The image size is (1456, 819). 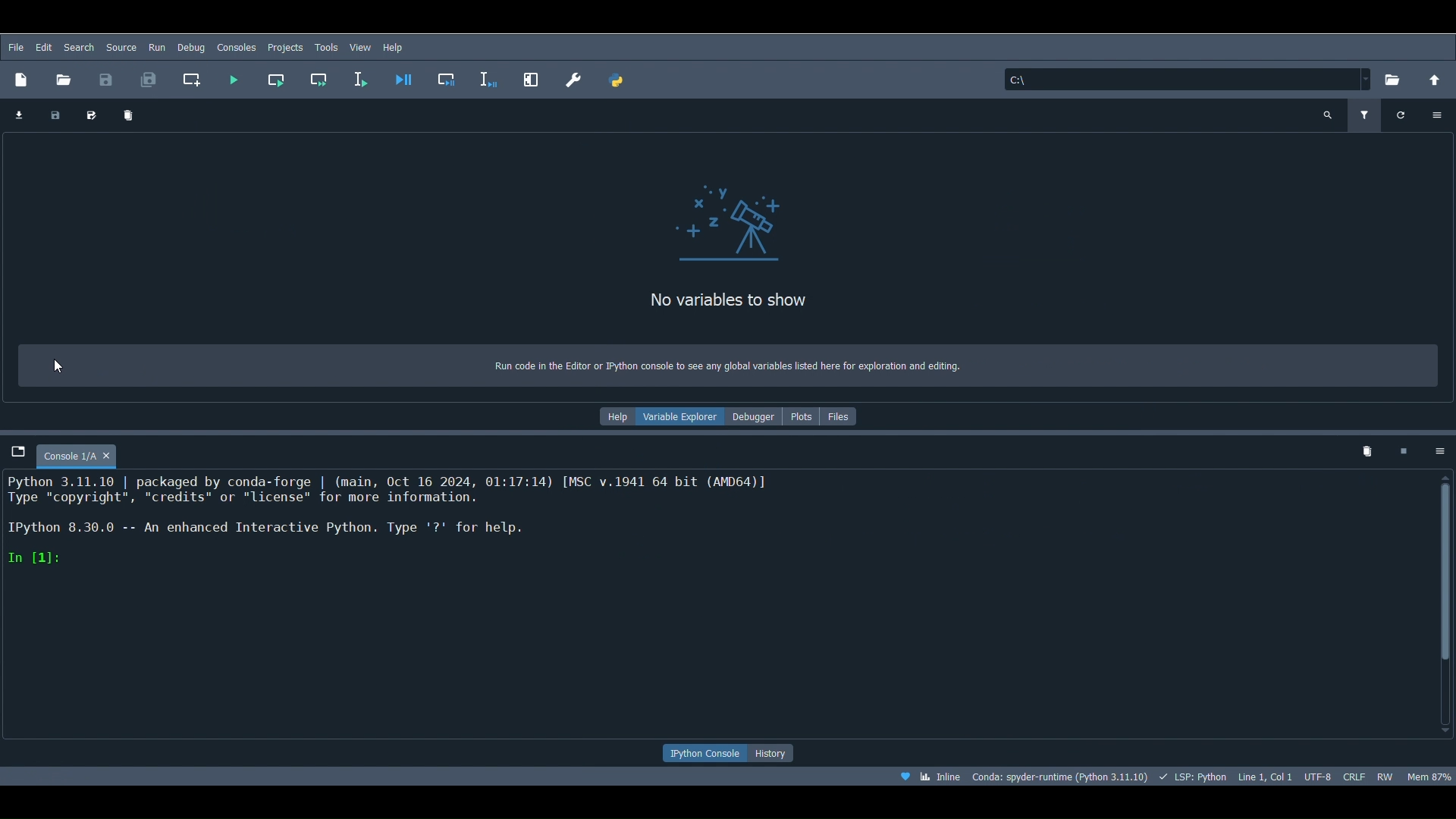 What do you see at coordinates (800, 414) in the screenshot?
I see `Plots` at bounding box center [800, 414].